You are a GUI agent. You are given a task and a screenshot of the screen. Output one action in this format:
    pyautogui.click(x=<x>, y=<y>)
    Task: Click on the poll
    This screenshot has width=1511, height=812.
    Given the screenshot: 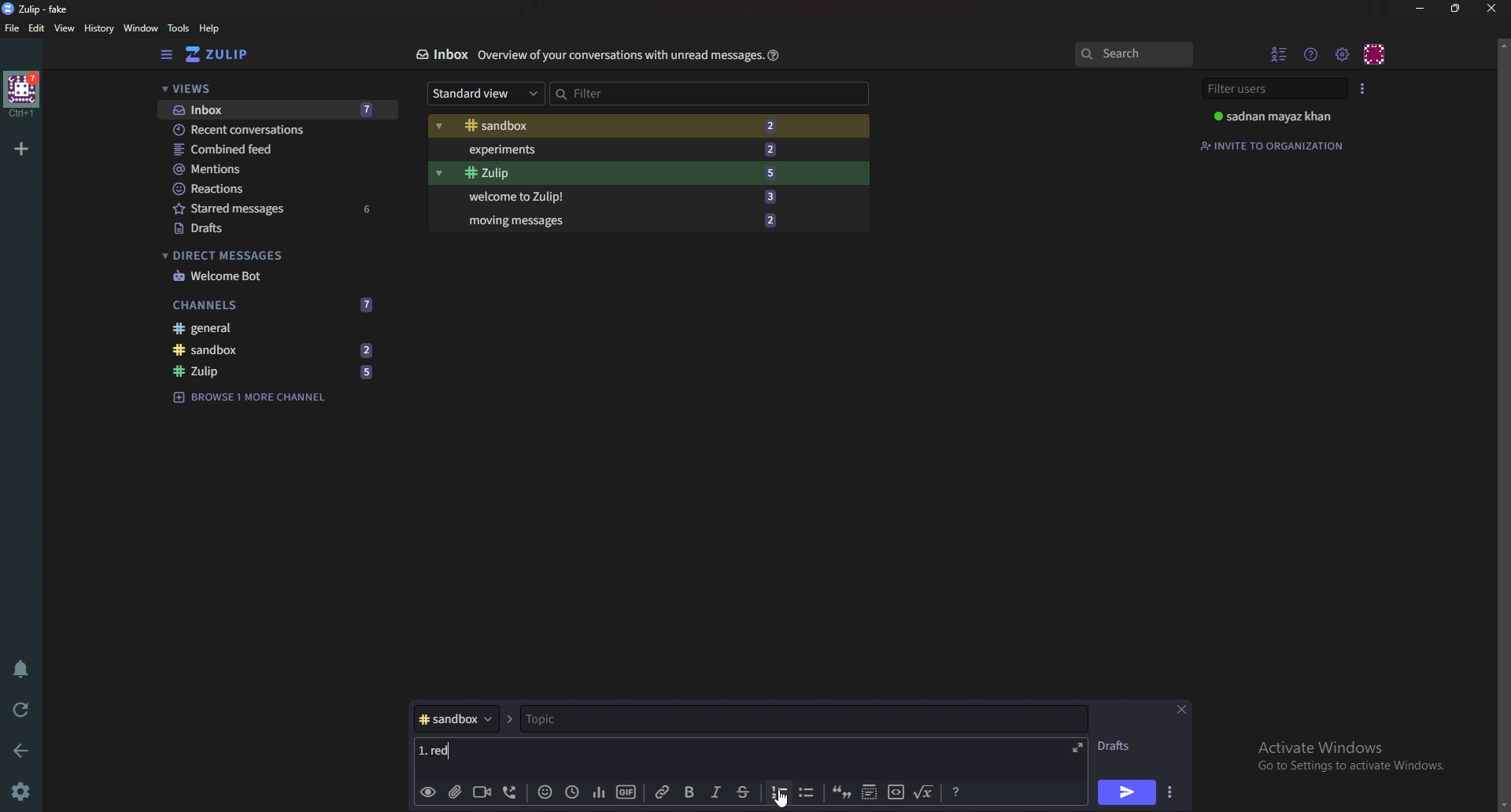 What is the action you would take?
    pyautogui.click(x=596, y=792)
    